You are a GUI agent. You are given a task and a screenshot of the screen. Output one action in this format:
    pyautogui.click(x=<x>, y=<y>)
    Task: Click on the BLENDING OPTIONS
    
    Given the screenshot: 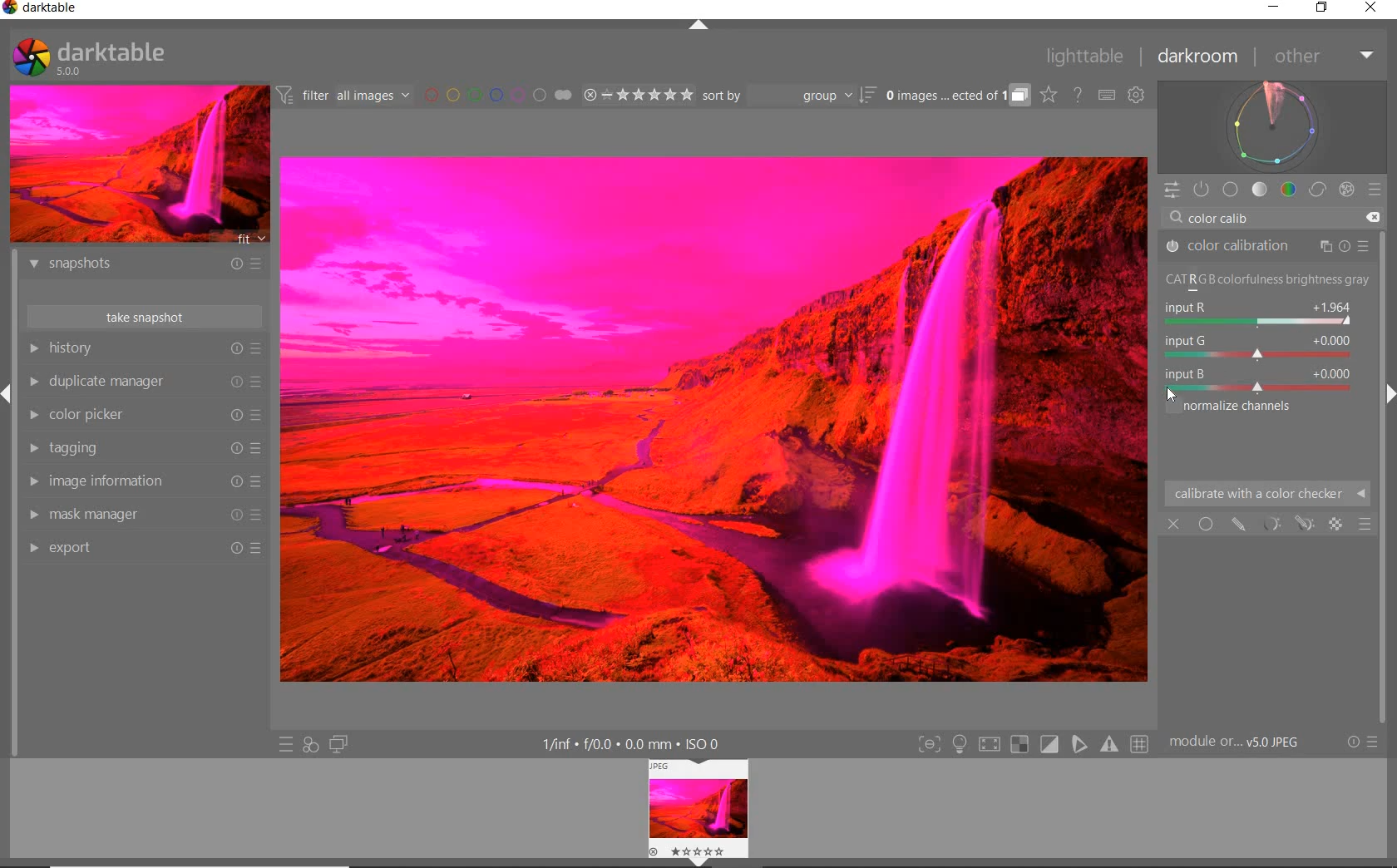 What is the action you would take?
    pyautogui.click(x=1365, y=525)
    